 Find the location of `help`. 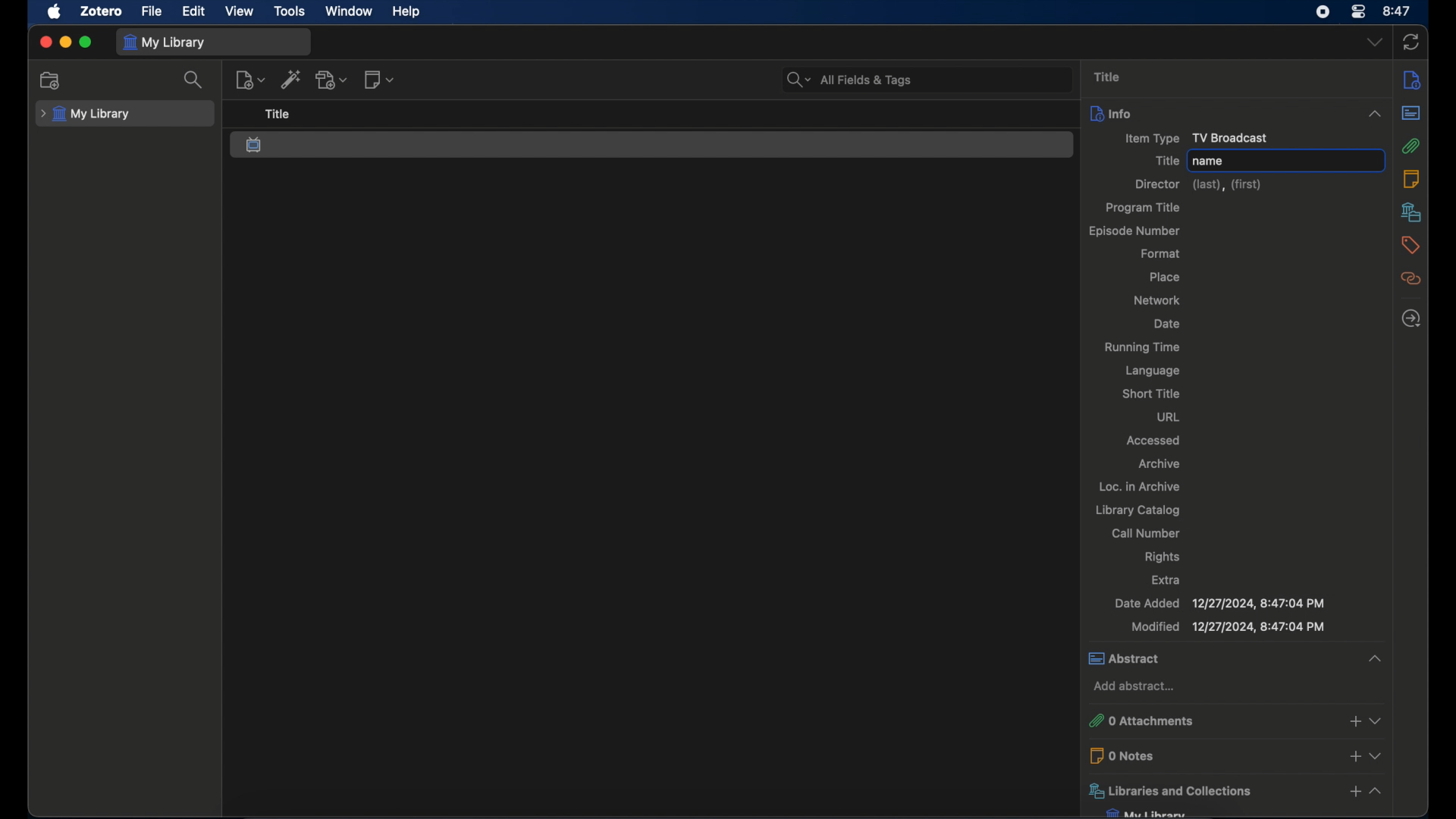

help is located at coordinates (406, 11).